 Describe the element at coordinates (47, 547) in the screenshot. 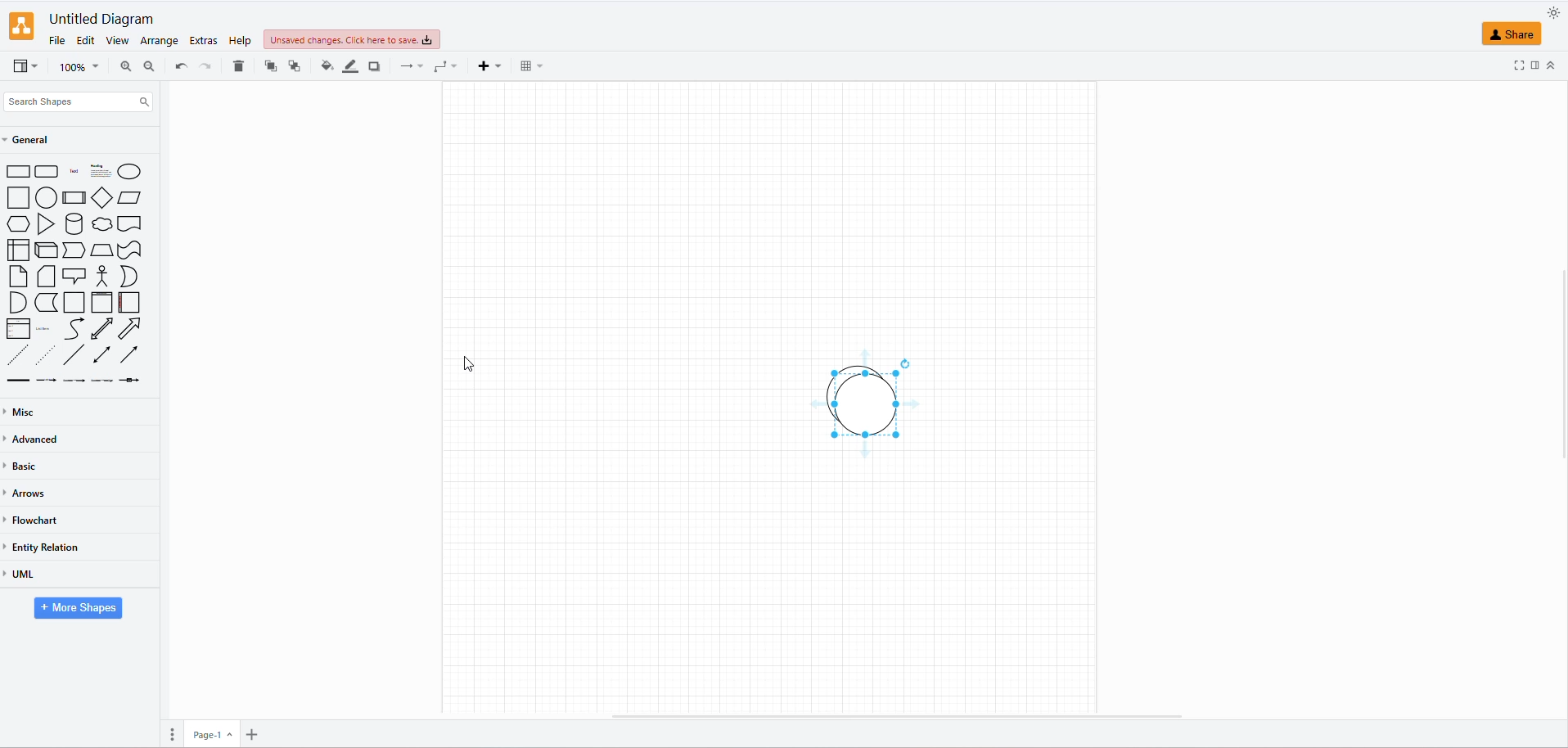

I see `ENTITY RELATION` at that location.